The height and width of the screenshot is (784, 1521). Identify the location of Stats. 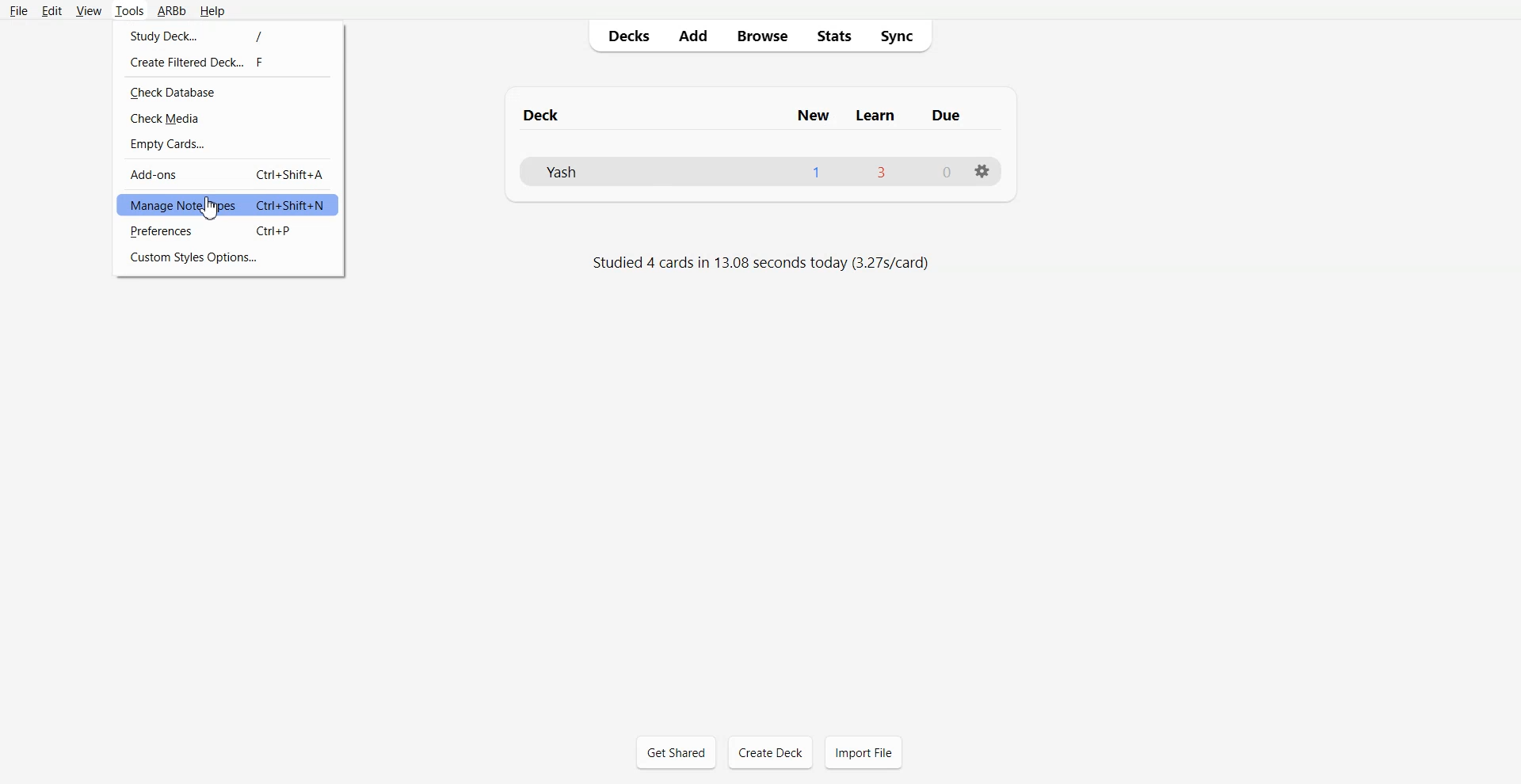
(836, 35).